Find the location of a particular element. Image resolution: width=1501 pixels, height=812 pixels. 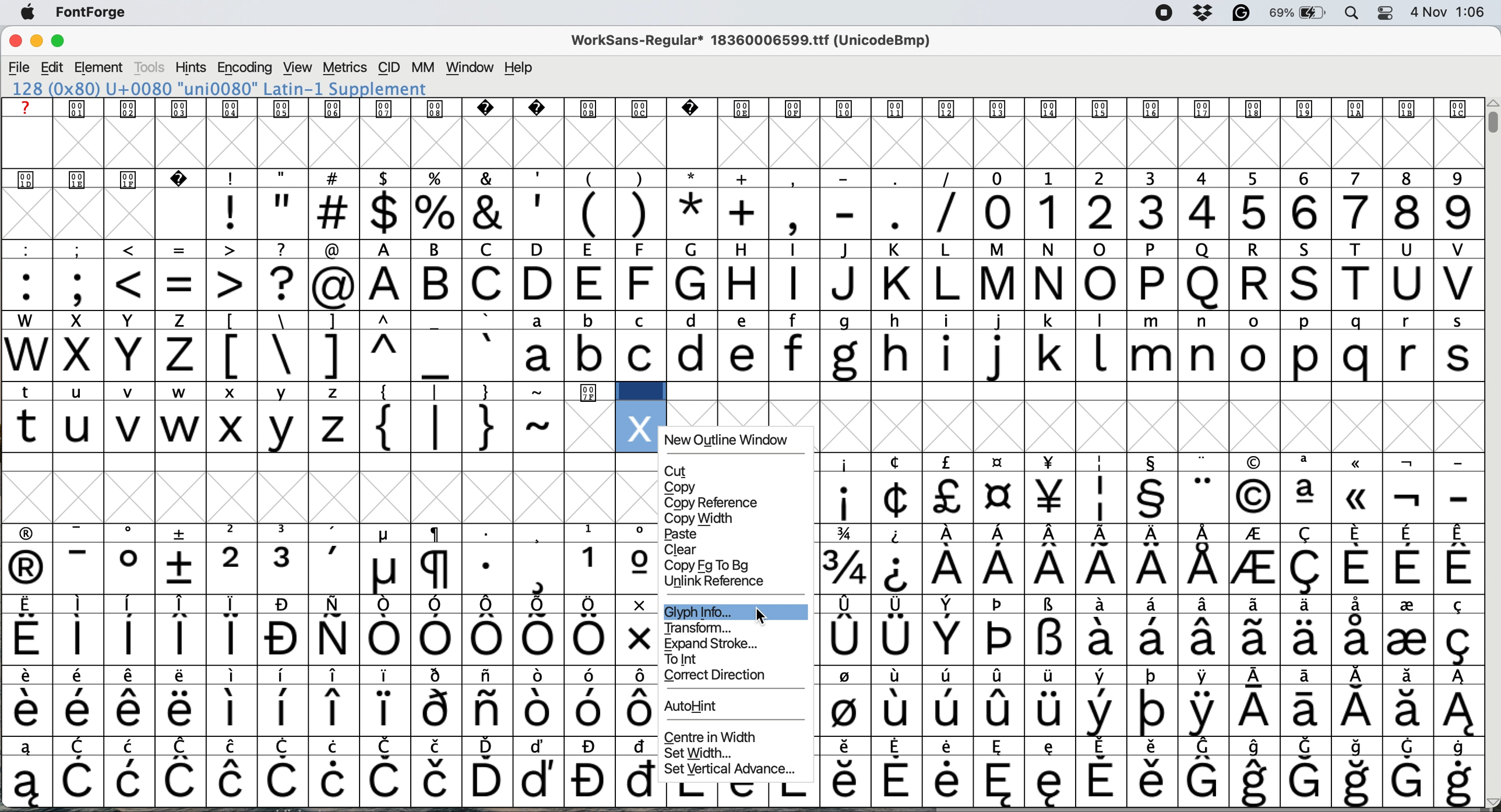

minimise is located at coordinates (35, 43).